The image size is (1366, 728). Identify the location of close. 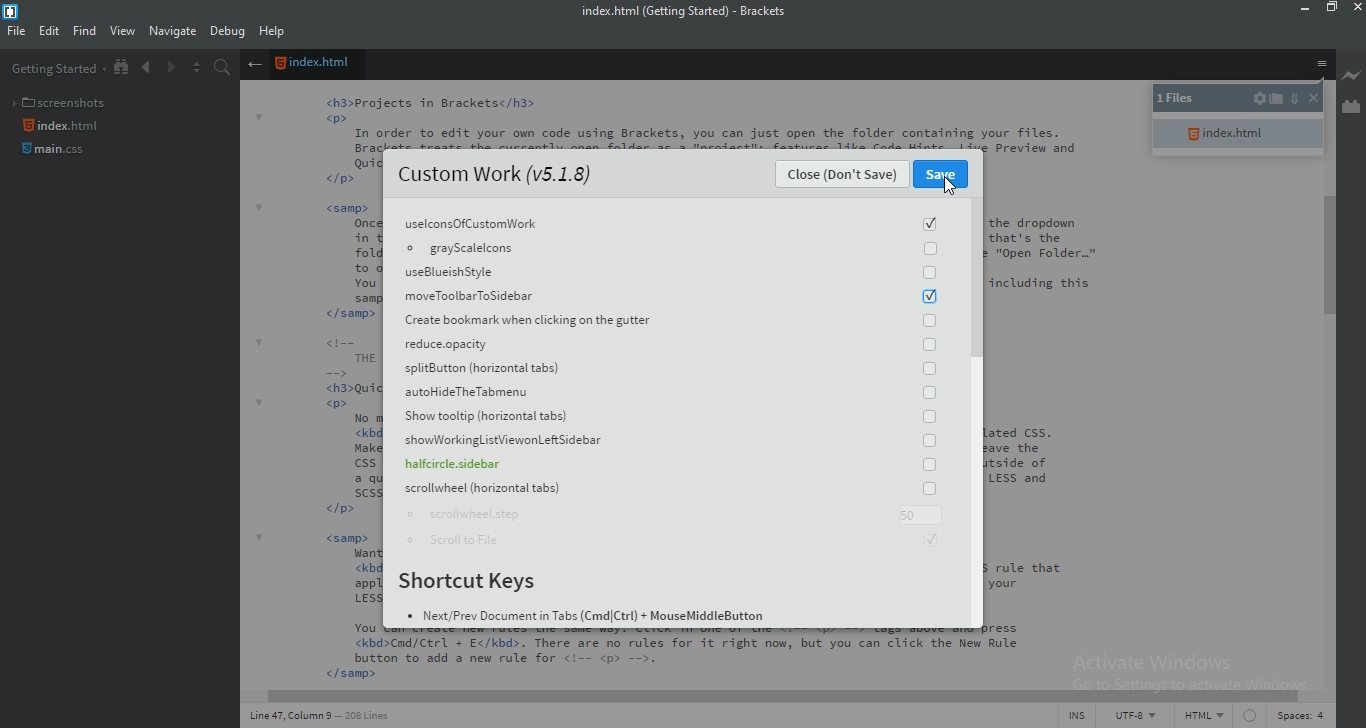
(843, 177).